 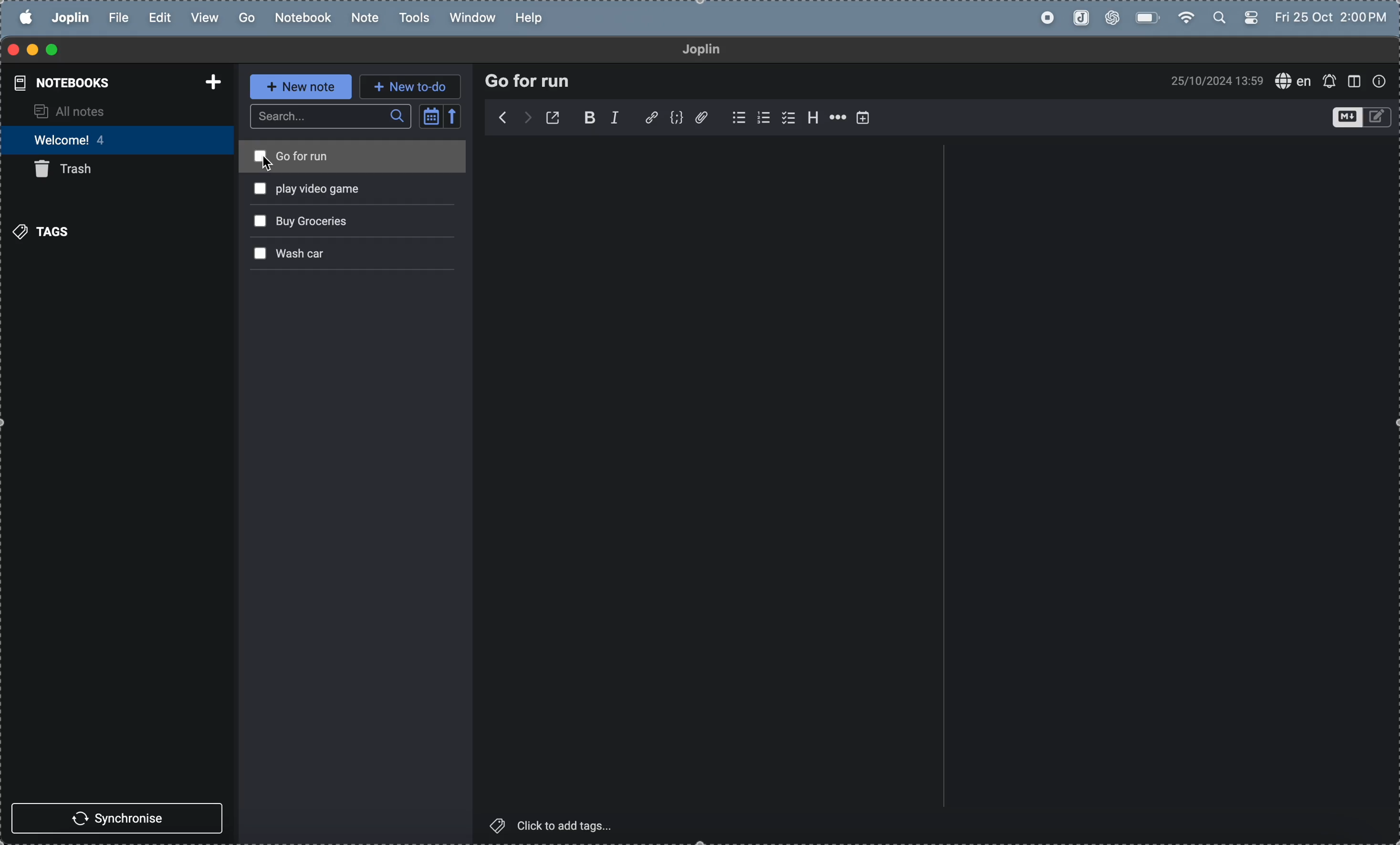 I want to click on notebooks, so click(x=113, y=81).